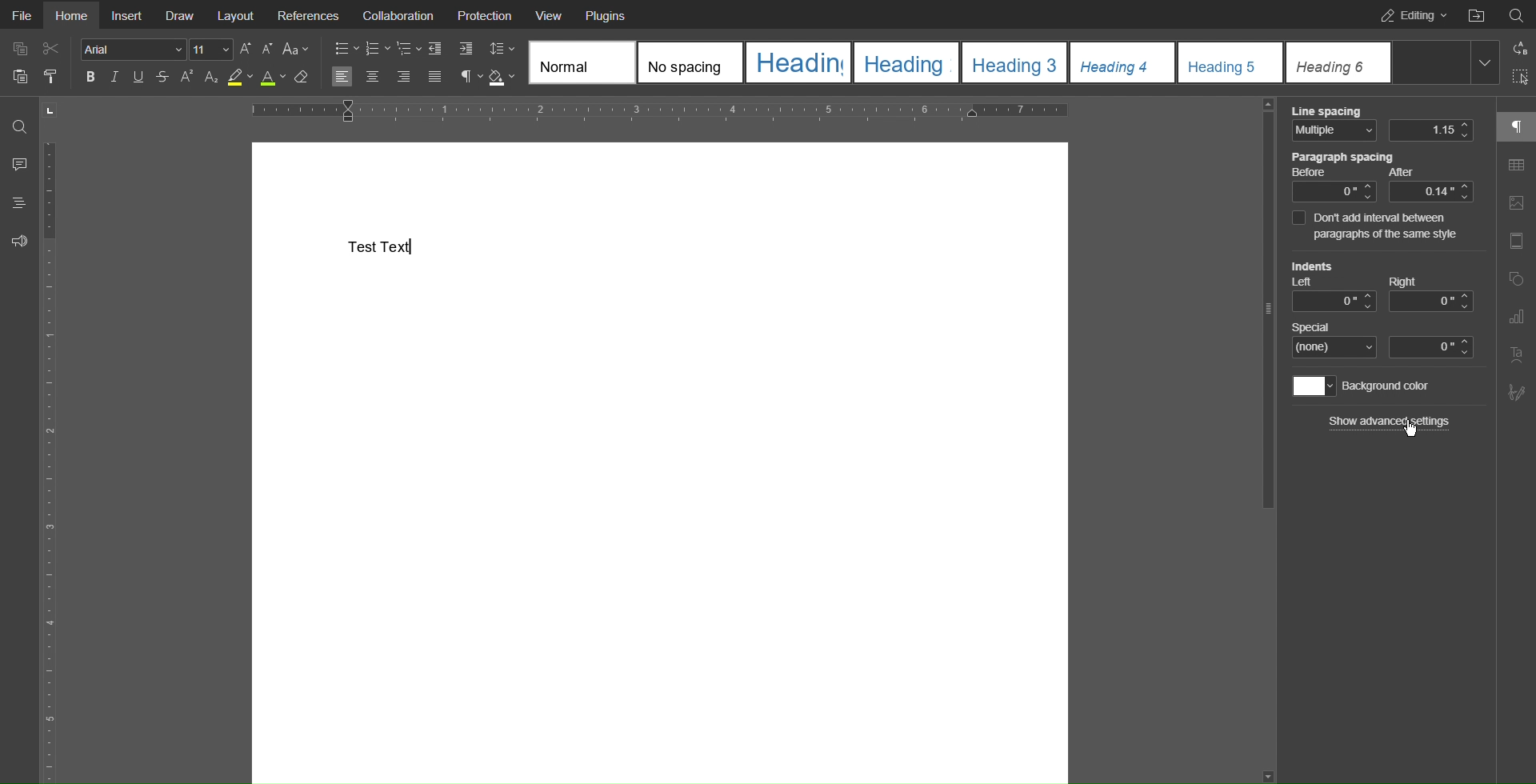 The height and width of the screenshot is (784, 1536). What do you see at coordinates (1517, 78) in the screenshot?
I see `Selection` at bounding box center [1517, 78].